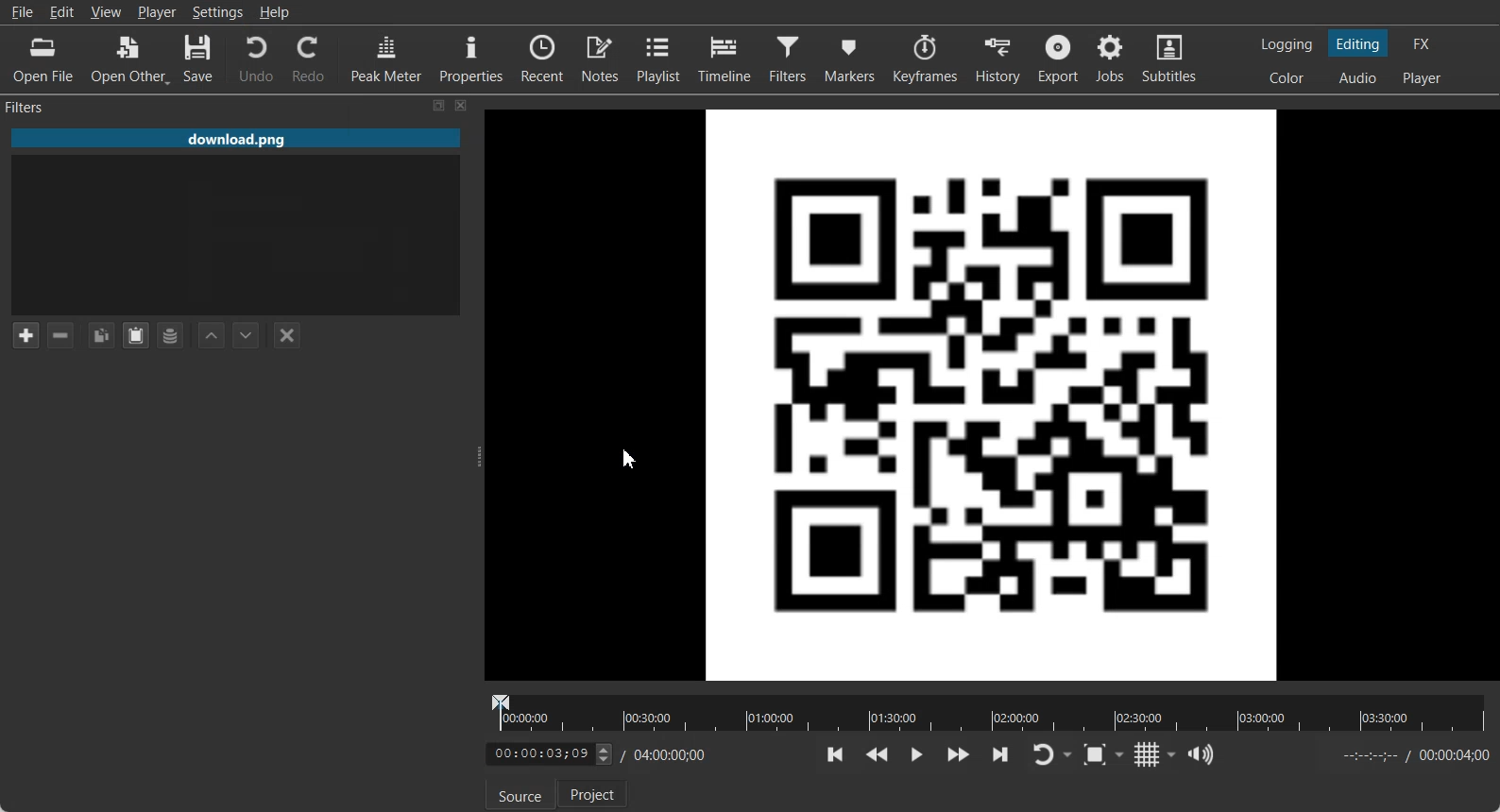 The image size is (1500, 812). I want to click on Play quickly backward, so click(877, 755).